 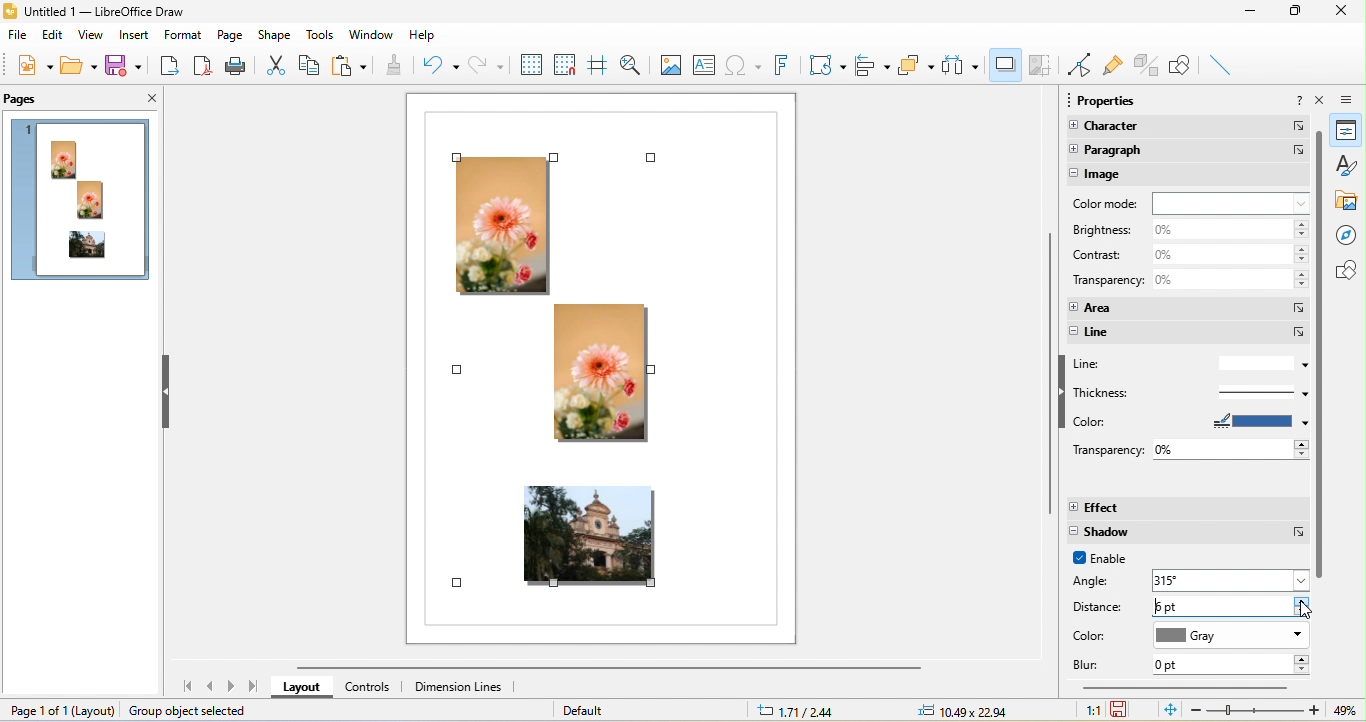 What do you see at coordinates (1186, 306) in the screenshot?
I see `area` at bounding box center [1186, 306].